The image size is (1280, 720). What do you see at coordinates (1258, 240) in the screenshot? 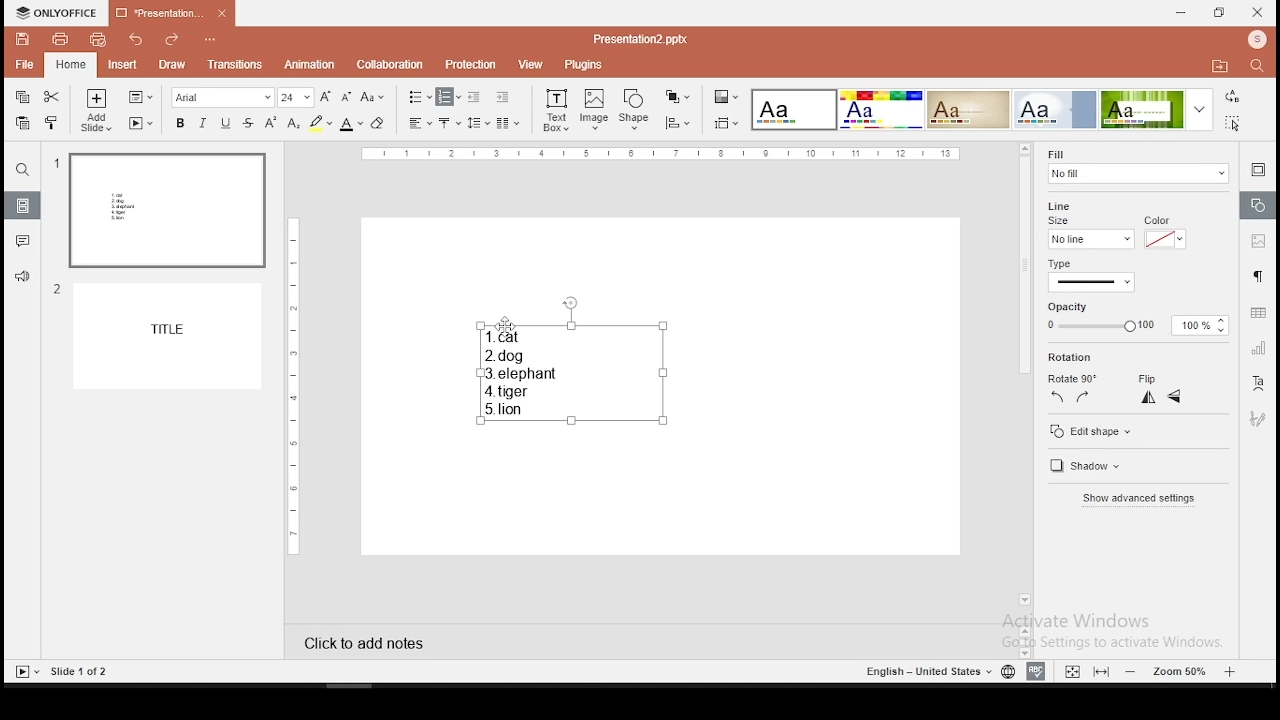
I see `image settings` at bounding box center [1258, 240].